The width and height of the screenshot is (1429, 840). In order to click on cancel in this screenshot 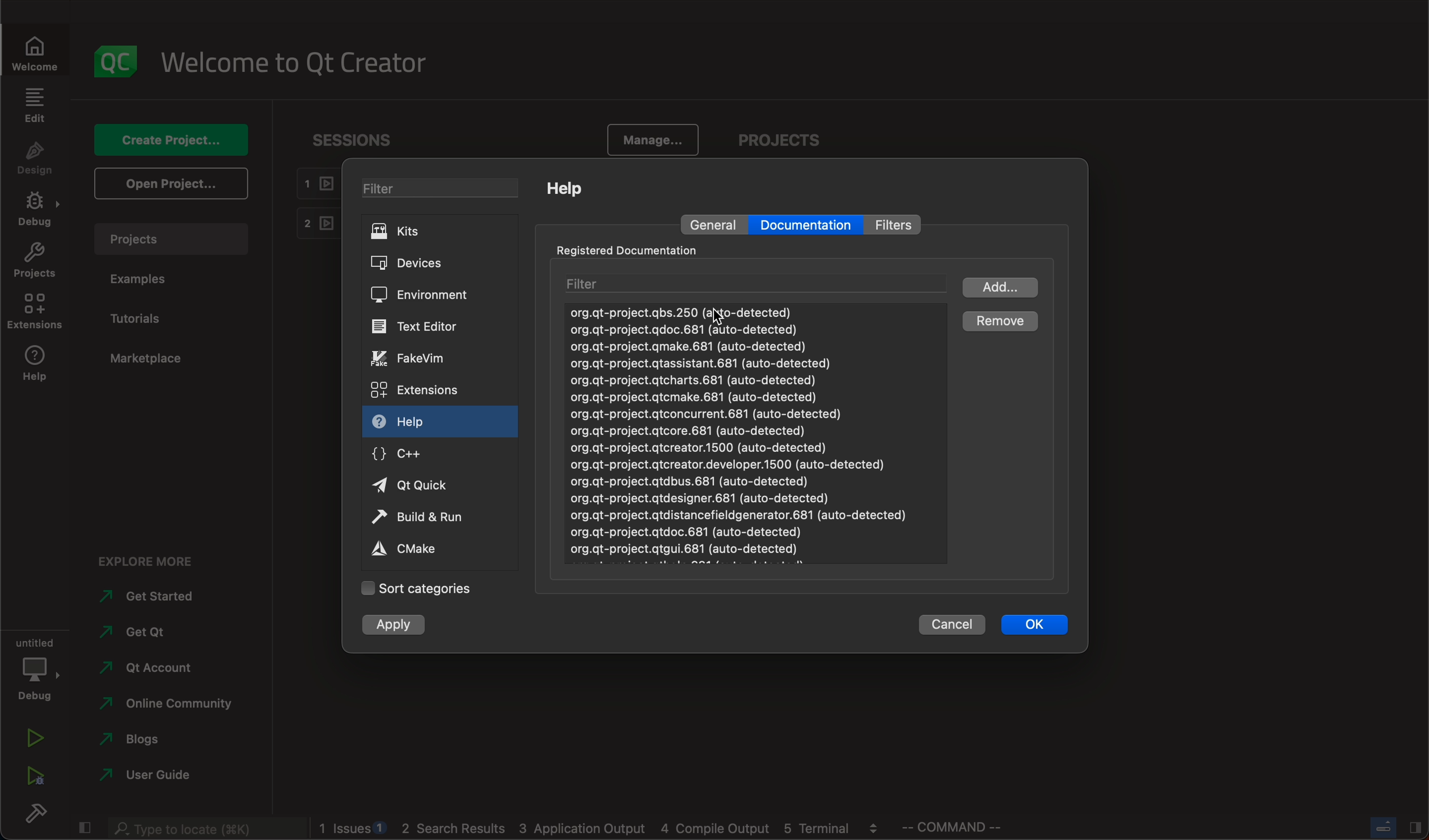, I will do `click(938, 624)`.